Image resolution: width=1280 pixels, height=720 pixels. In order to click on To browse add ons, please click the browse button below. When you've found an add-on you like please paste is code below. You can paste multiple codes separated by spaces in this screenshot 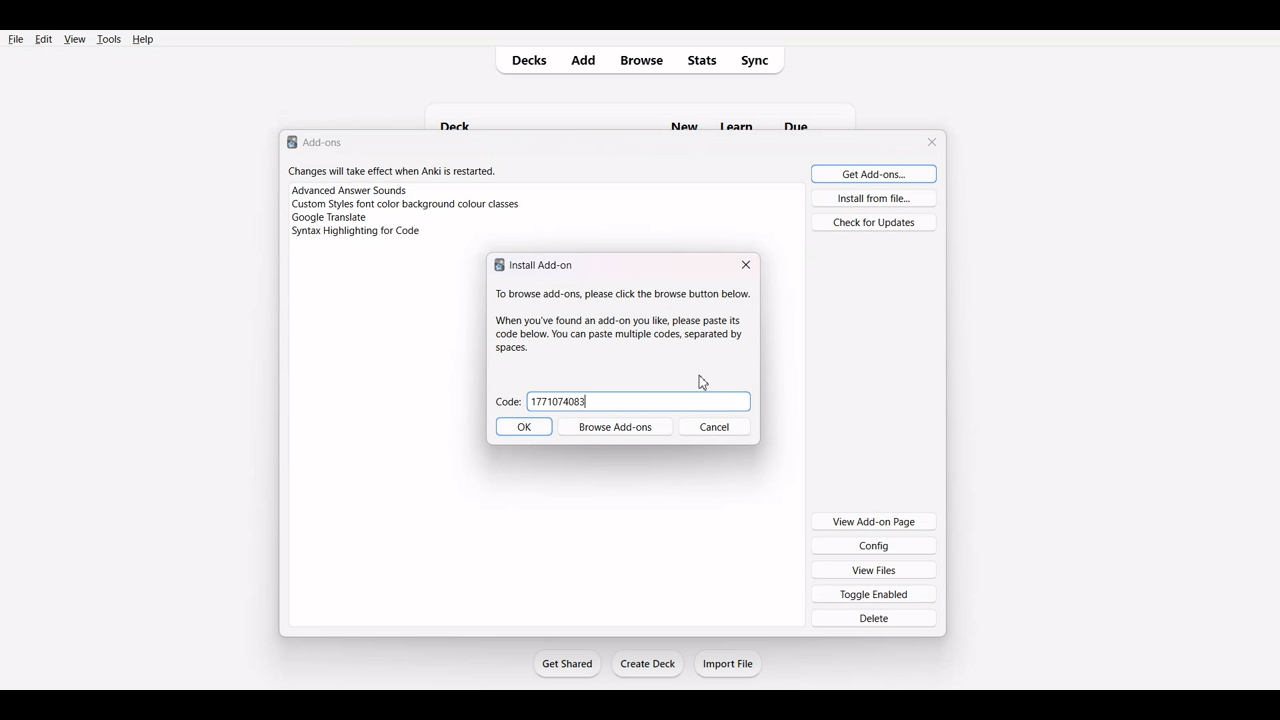, I will do `click(618, 320)`.